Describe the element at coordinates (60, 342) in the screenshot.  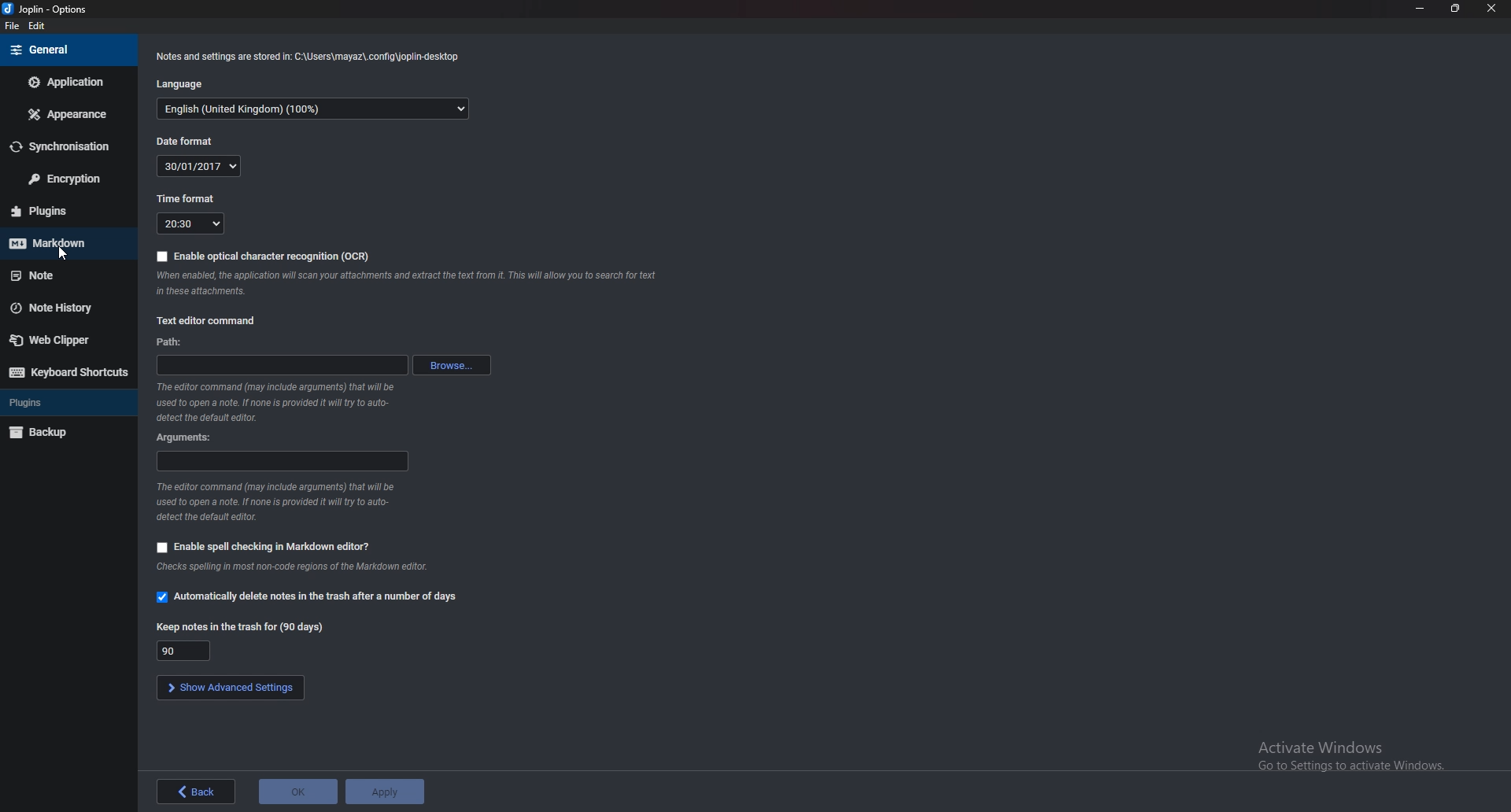
I see `Web clipper` at that location.